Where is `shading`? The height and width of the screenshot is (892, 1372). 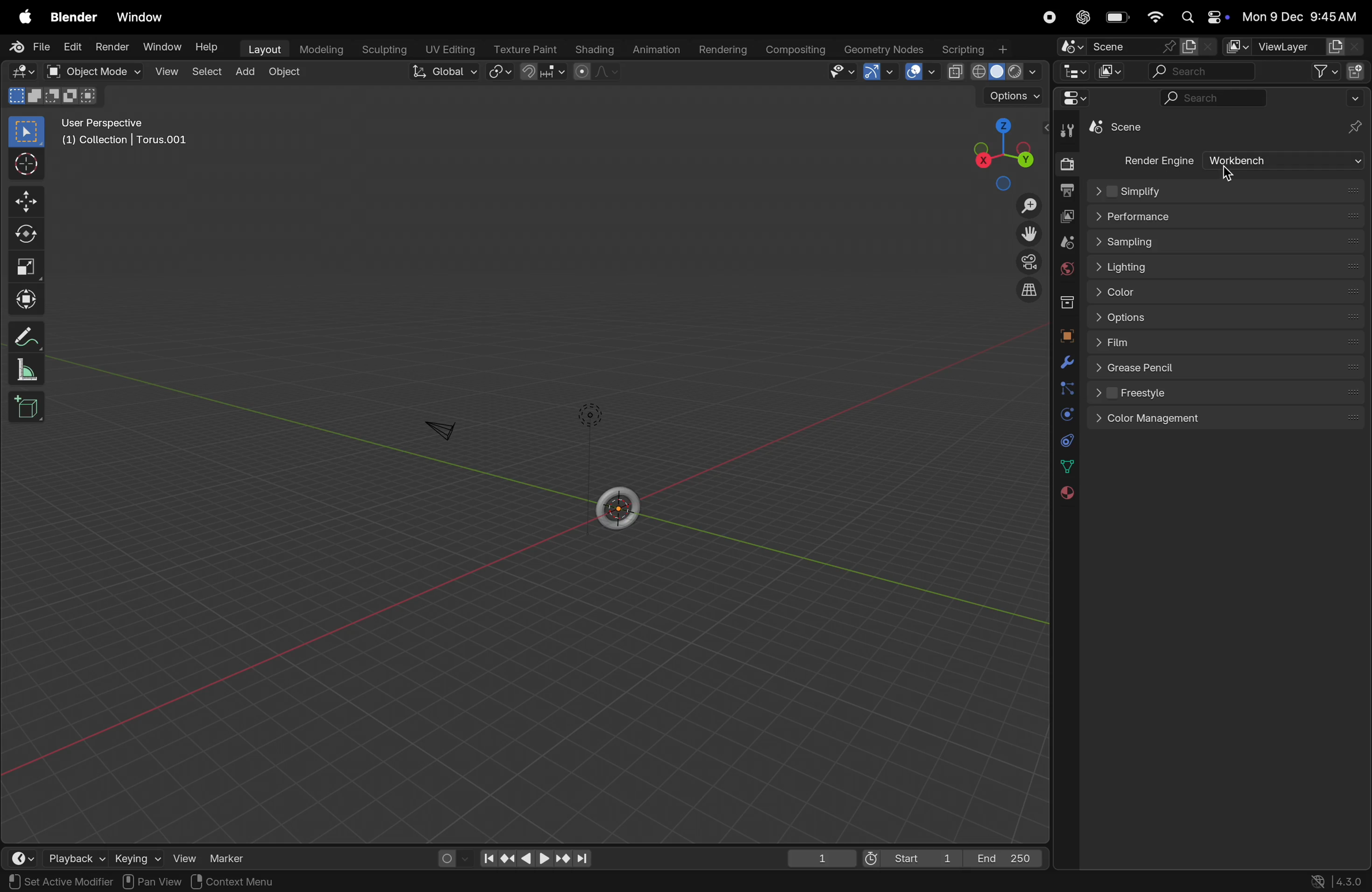
shading is located at coordinates (992, 72).